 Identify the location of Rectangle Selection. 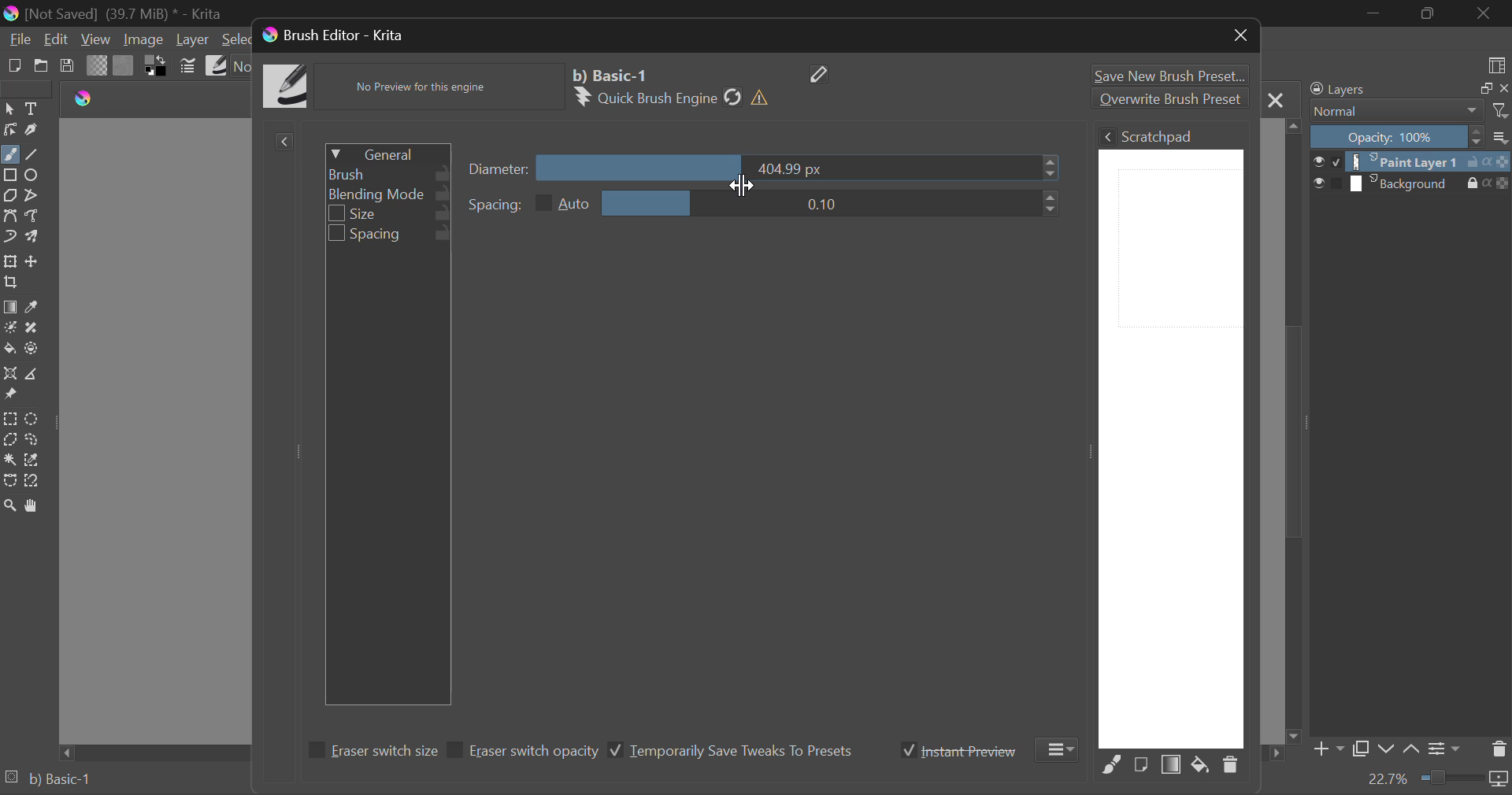
(10, 418).